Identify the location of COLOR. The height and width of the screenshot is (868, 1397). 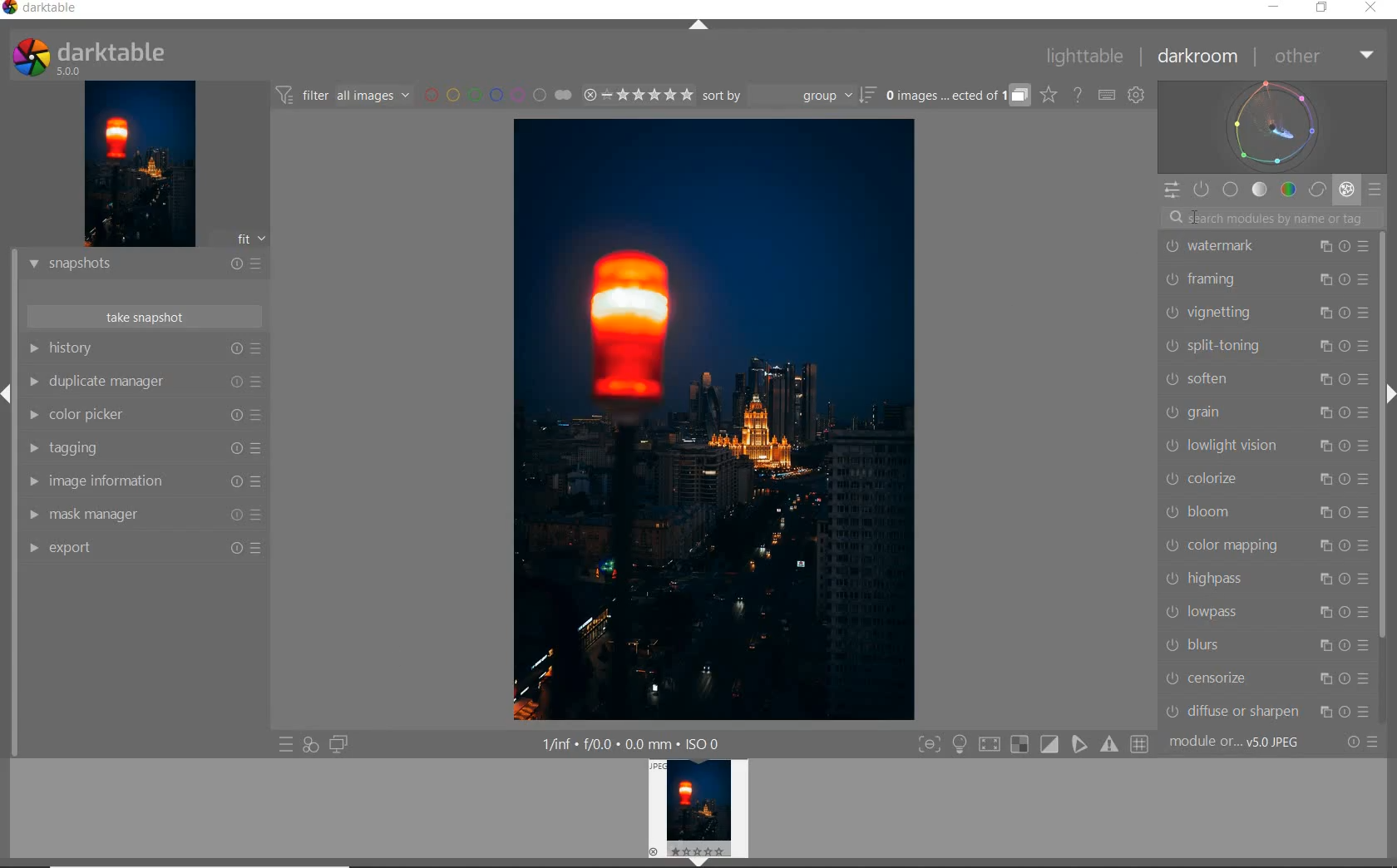
(1288, 190).